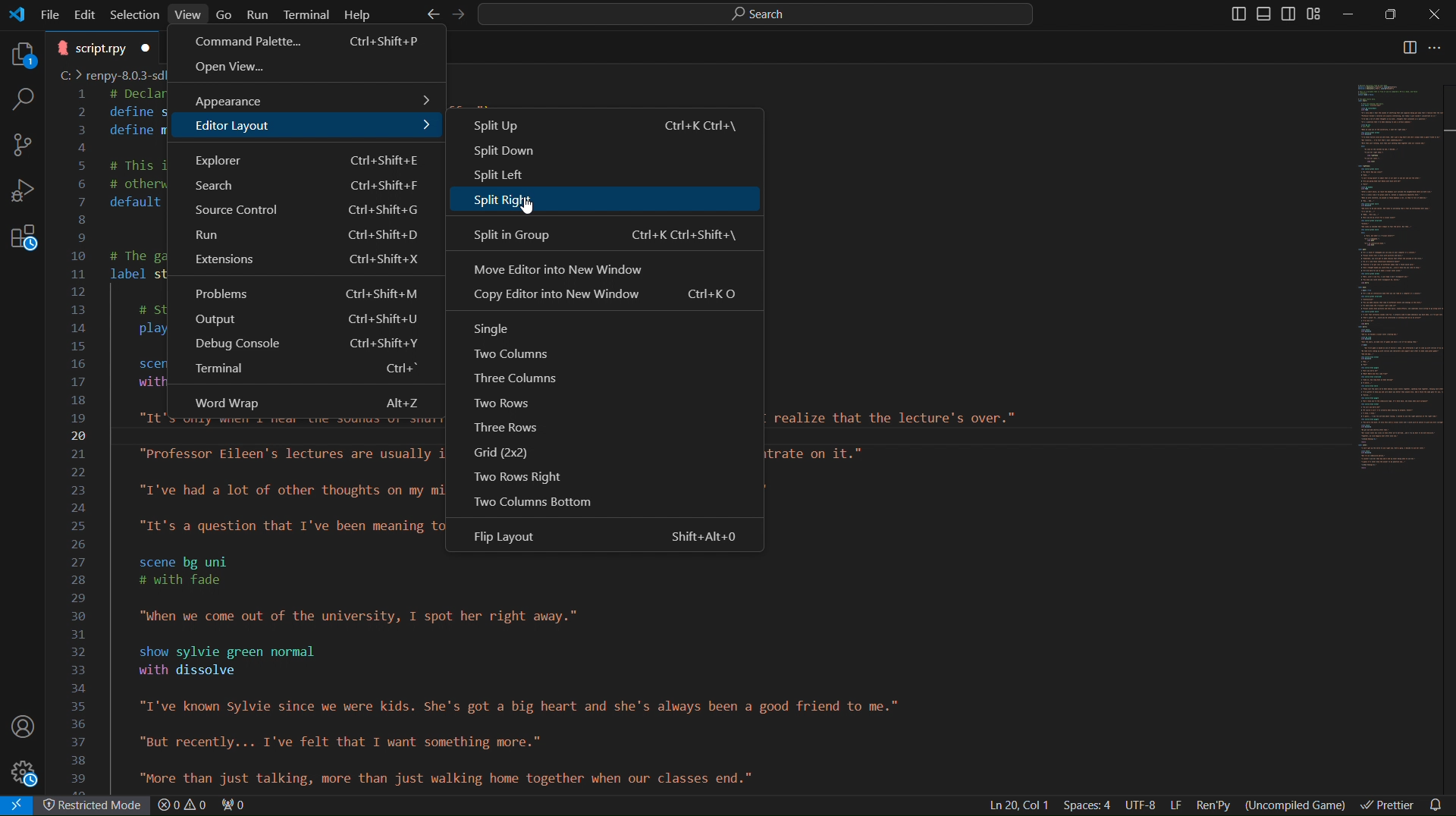 This screenshot has height=816, width=1456. What do you see at coordinates (303, 129) in the screenshot?
I see `Editor Layout` at bounding box center [303, 129].